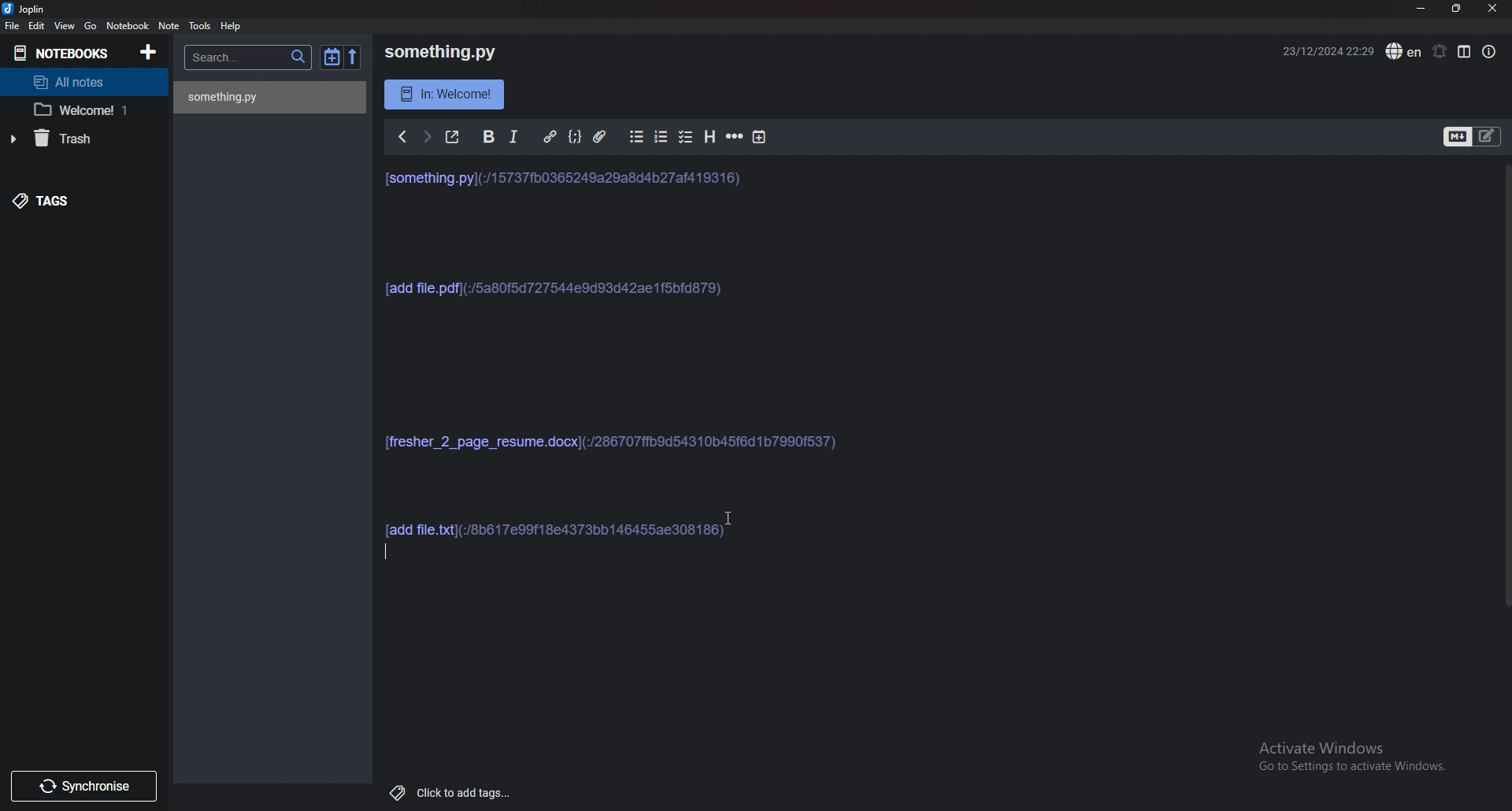 The image size is (1512, 811). I want to click on File, so click(11, 25).